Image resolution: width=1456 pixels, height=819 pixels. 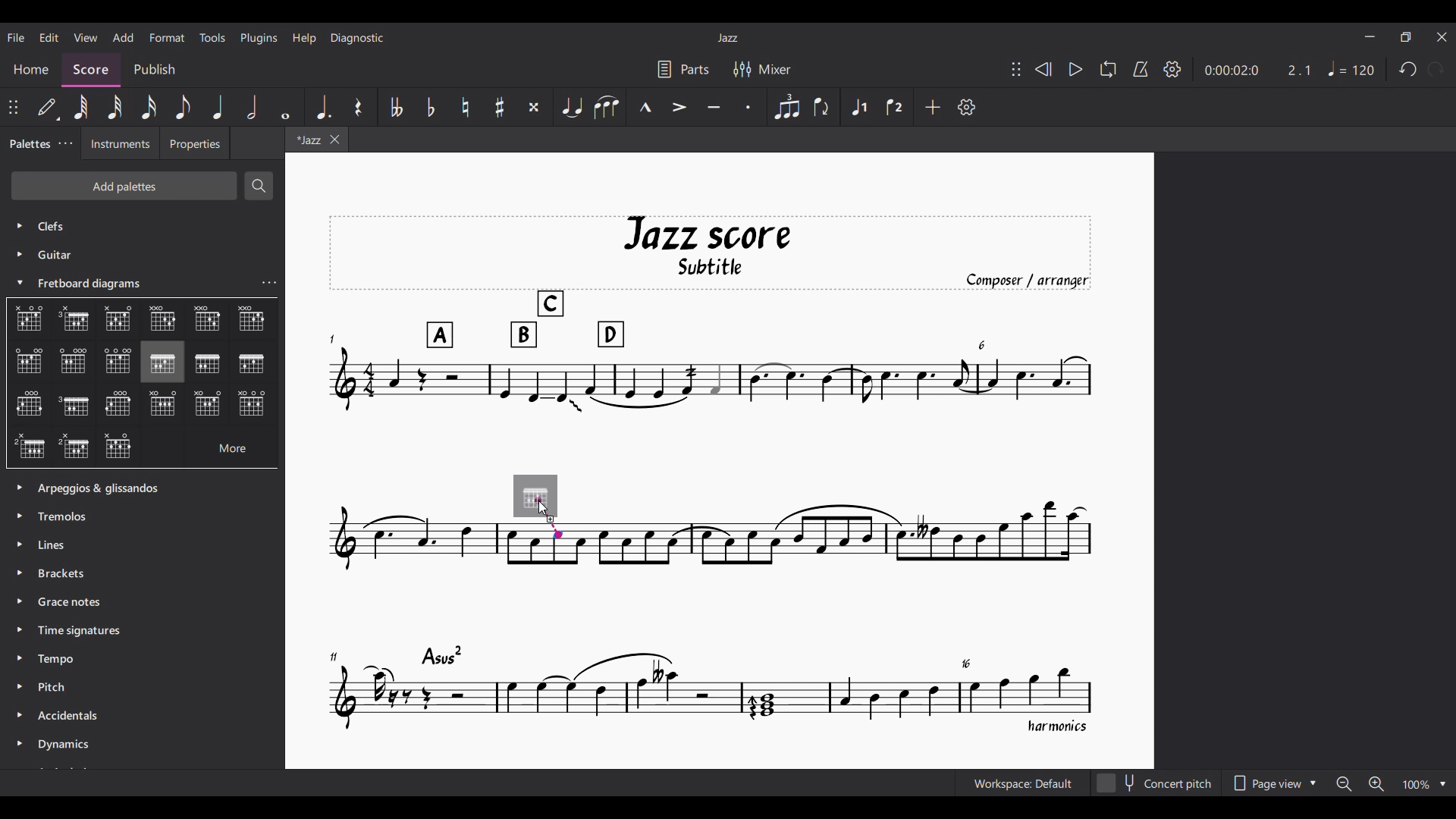 I want to click on Accidentals, so click(x=73, y=717).